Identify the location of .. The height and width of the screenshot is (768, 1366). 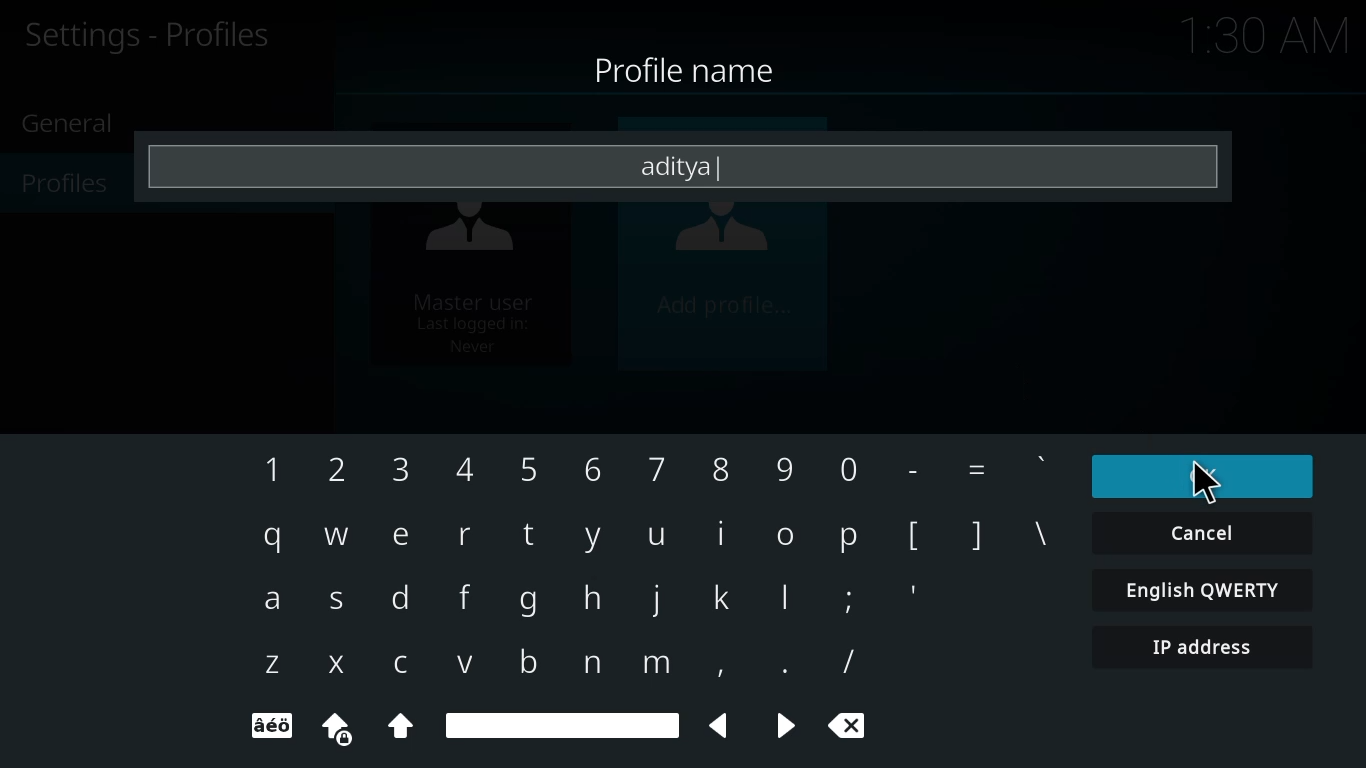
(781, 671).